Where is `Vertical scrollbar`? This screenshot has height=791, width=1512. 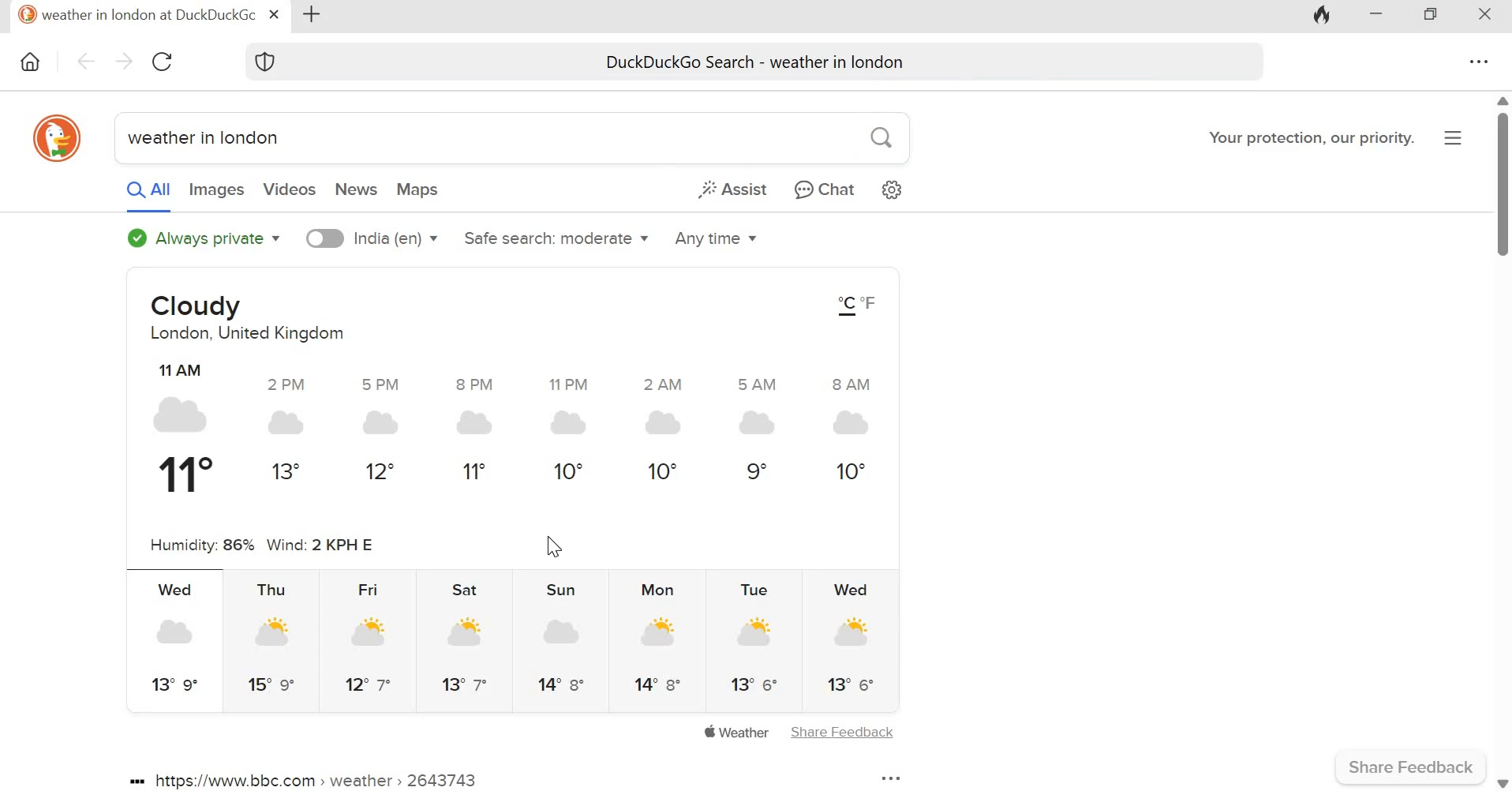
Vertical scrollbar is located at coordinates (1503, 441).